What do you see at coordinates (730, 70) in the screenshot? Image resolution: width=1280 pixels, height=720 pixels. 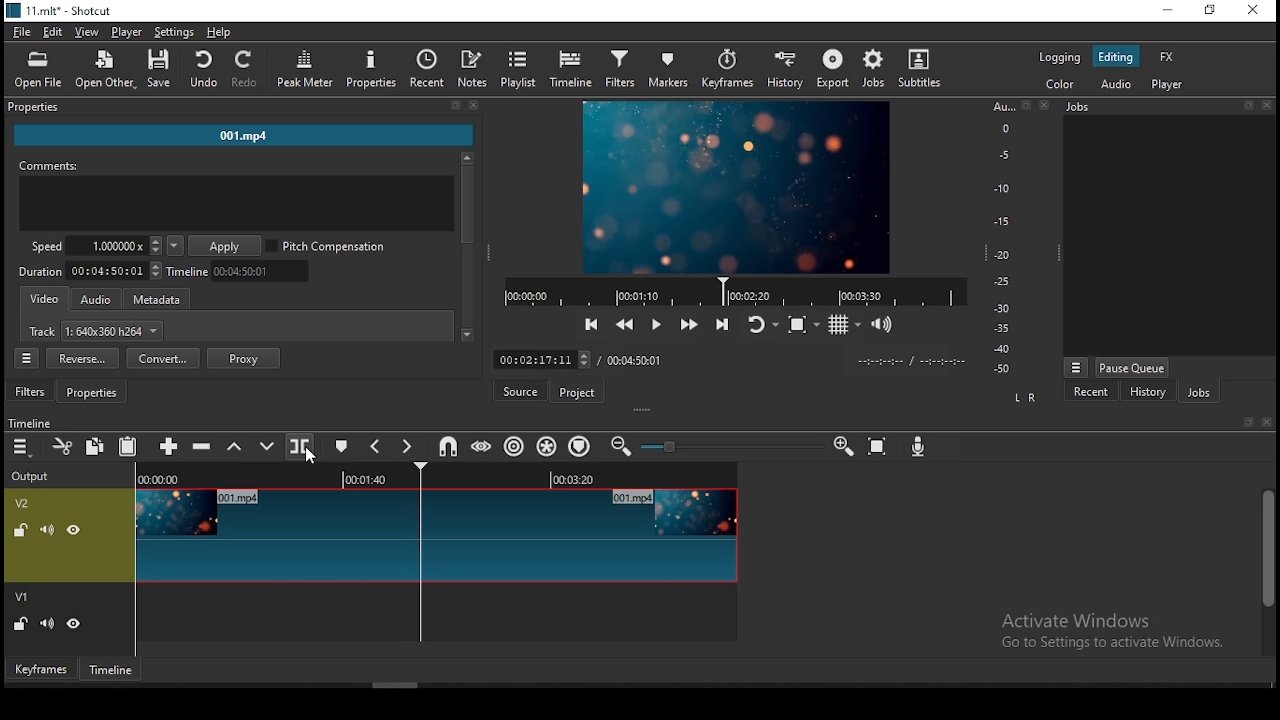 I see `keyframes` at bounding box center [730, 70].